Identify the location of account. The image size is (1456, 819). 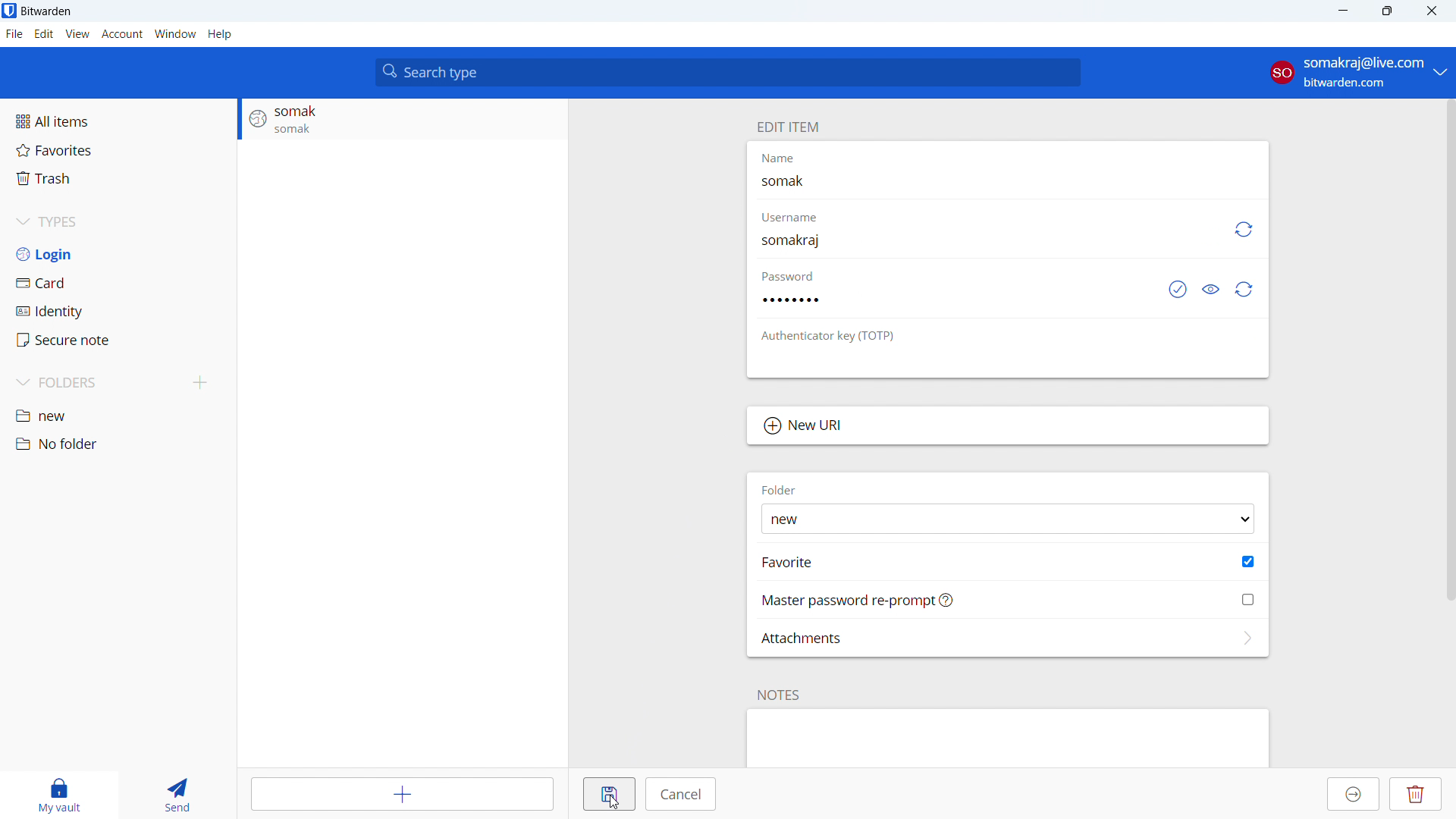
(123, 34).